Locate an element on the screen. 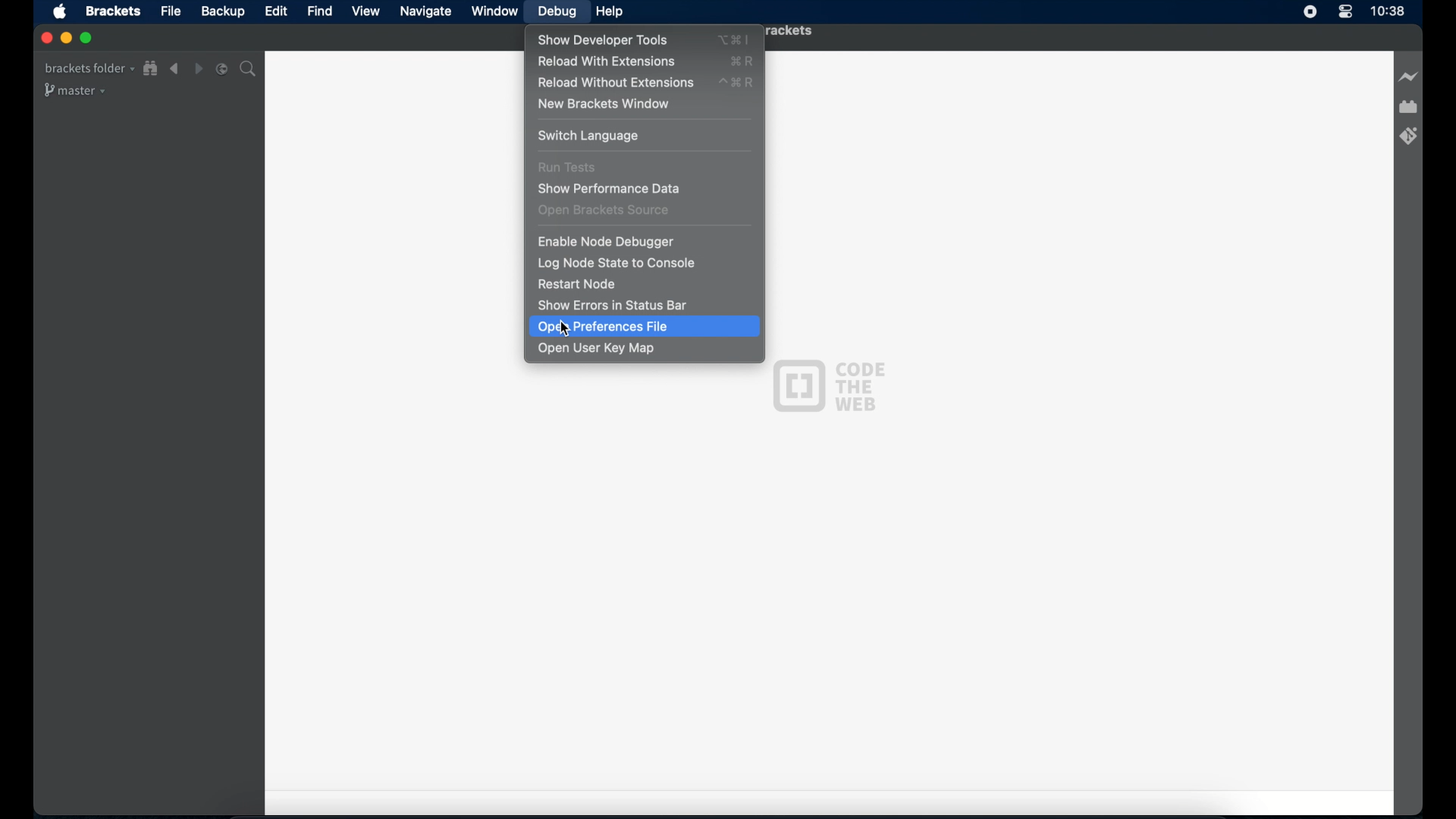  navigate forward is located at coordinates (198, 69).